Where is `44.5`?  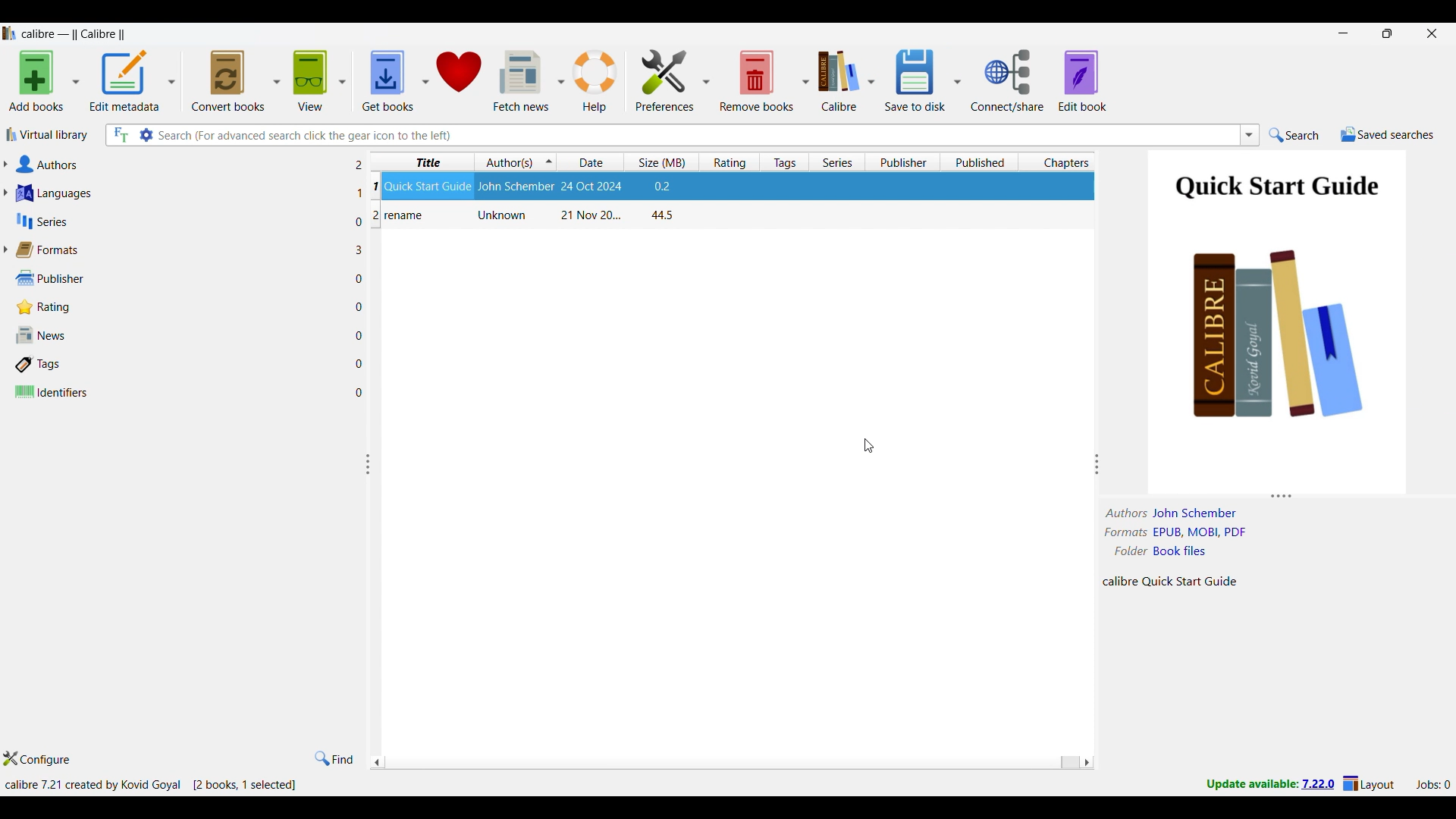
44.5 is located at coordinates (663, 215).